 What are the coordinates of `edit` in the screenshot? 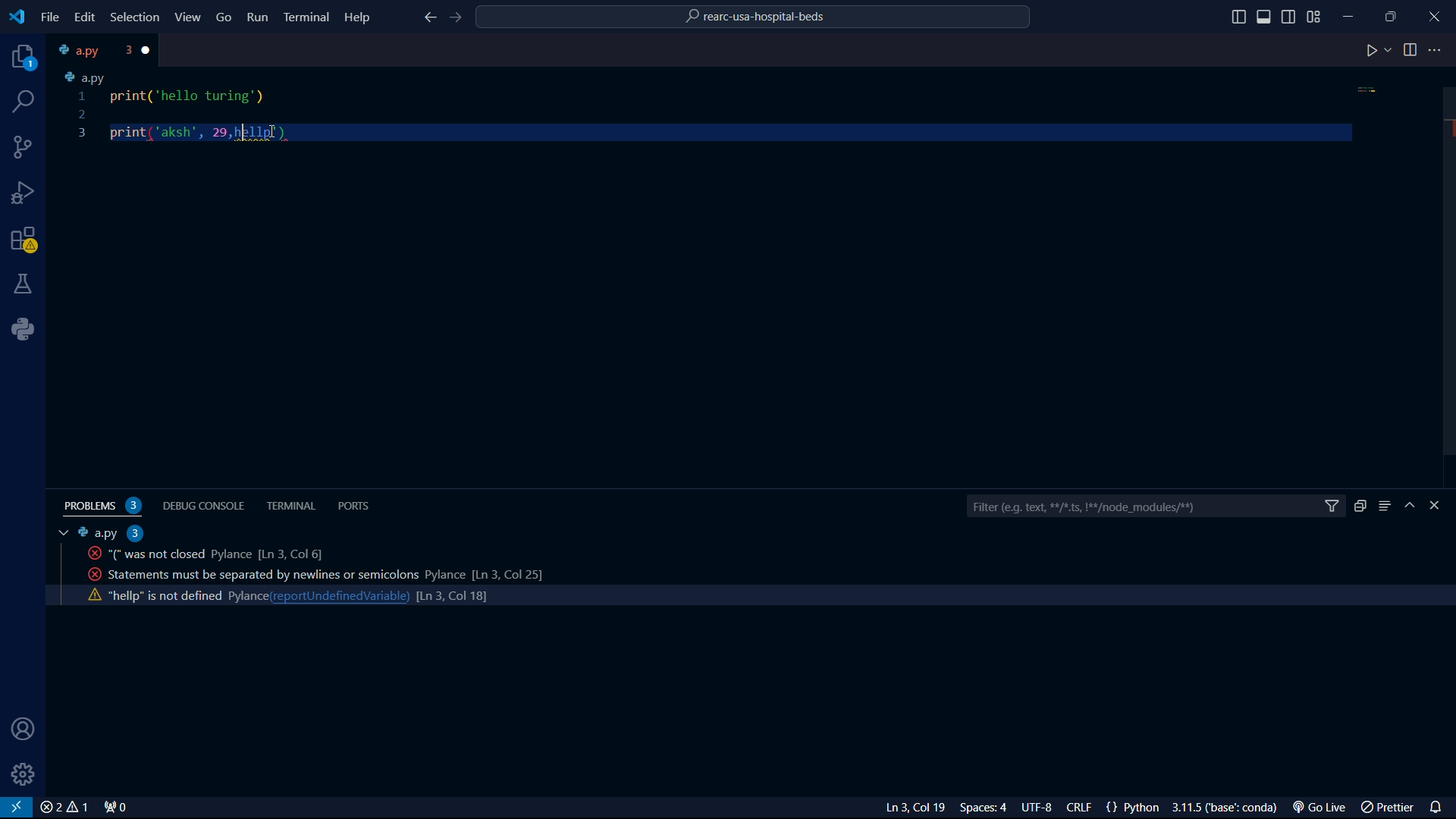 It's located at (83, 17).